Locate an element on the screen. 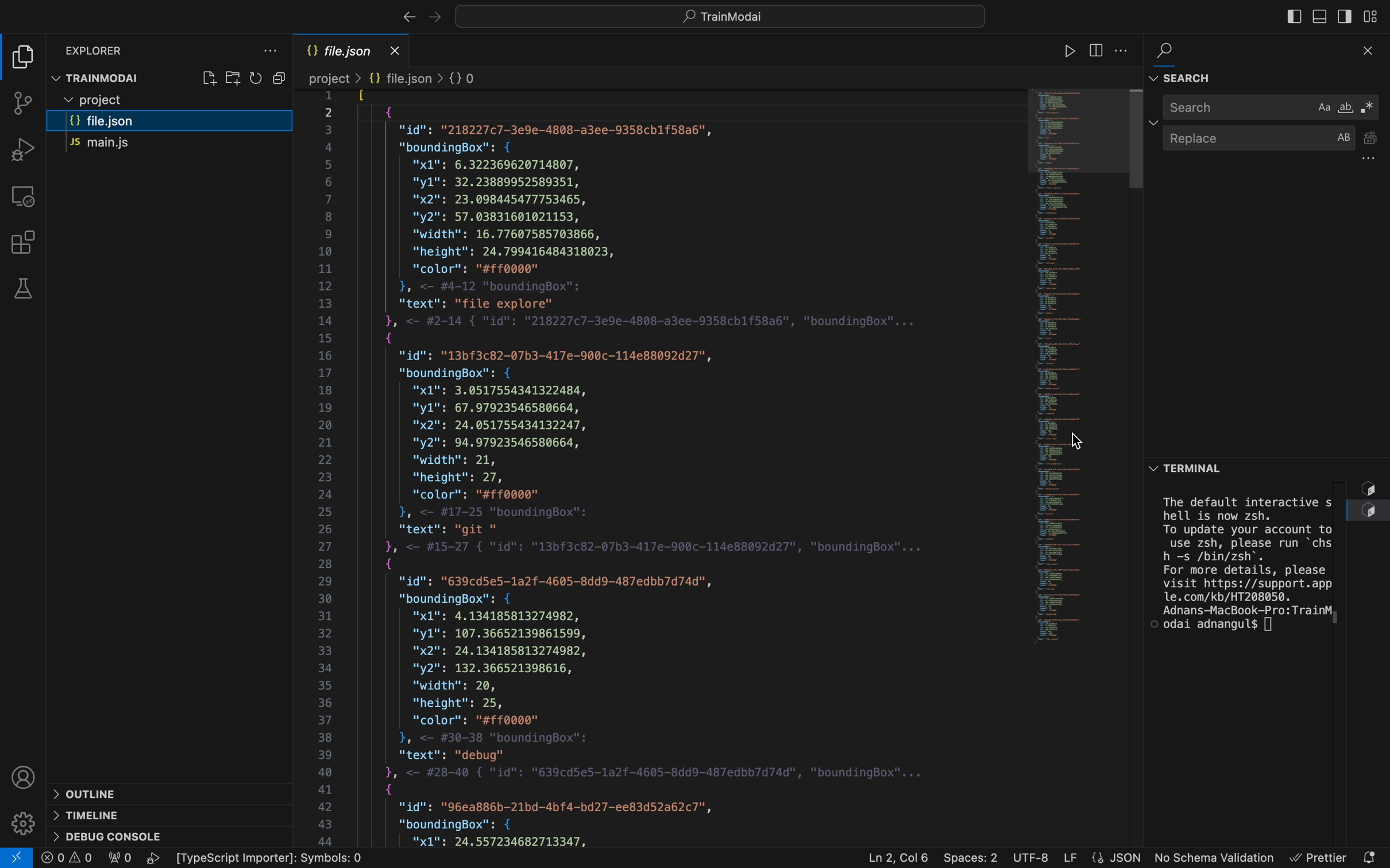  main.js is located at coordinates (140, 145).